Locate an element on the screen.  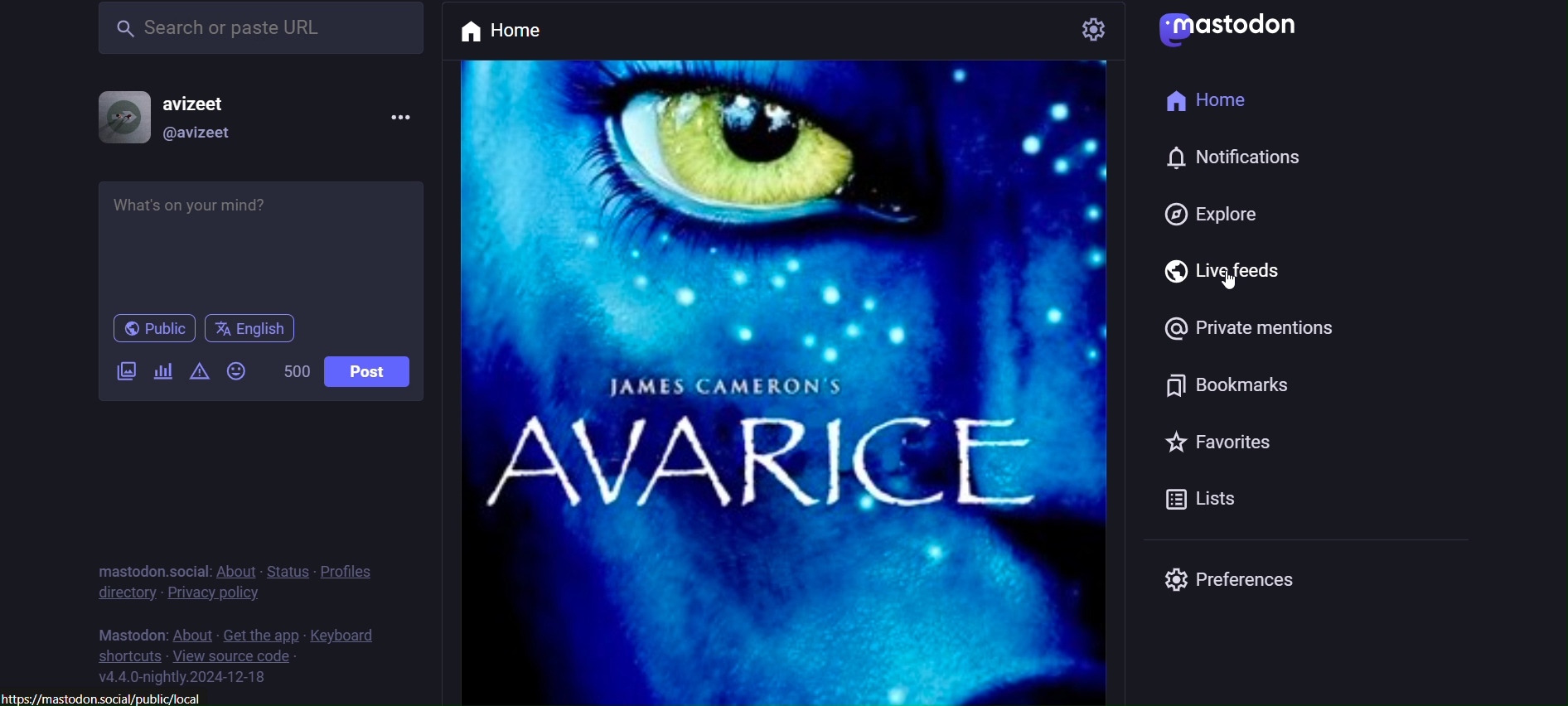
profiles is located at coordinates (353, 571).